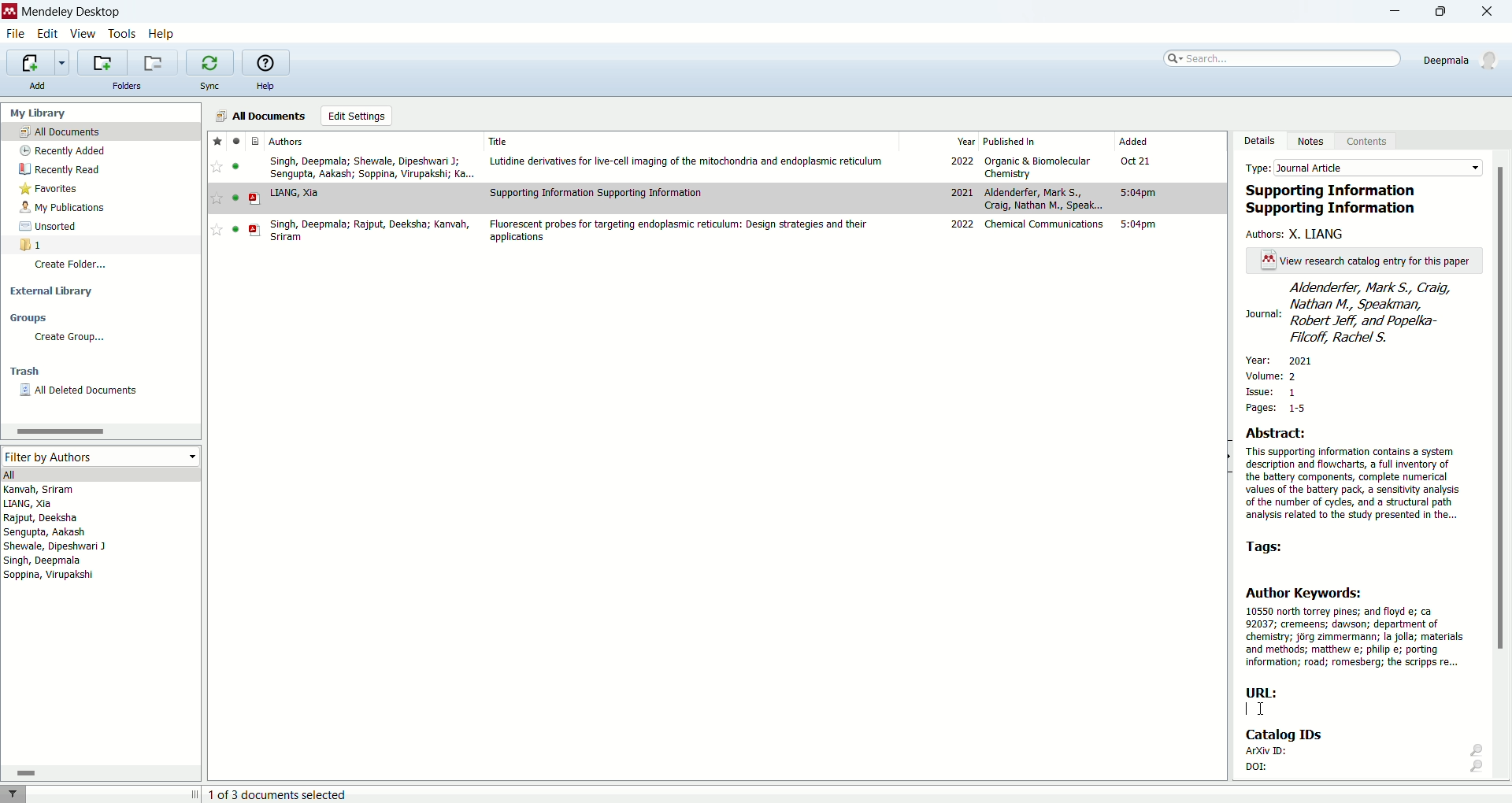 This screenshot has width=1512, height=803. Describe the element at coordinates (295, 194) in the screenshot. I see `LIANG, Xia` at that location.